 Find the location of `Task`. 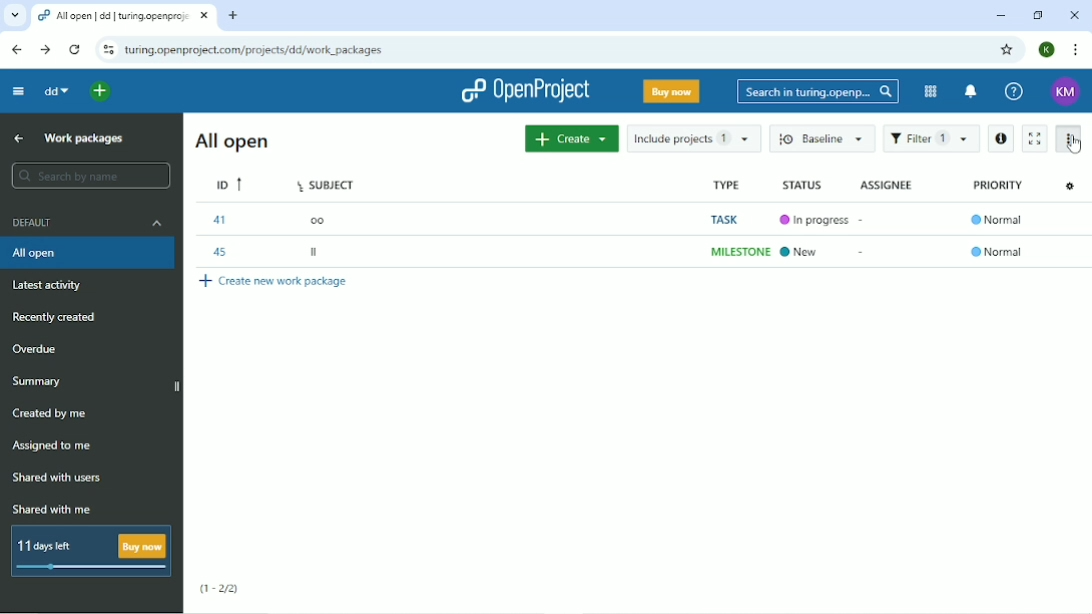

Task is located at coordinates (729, 219).